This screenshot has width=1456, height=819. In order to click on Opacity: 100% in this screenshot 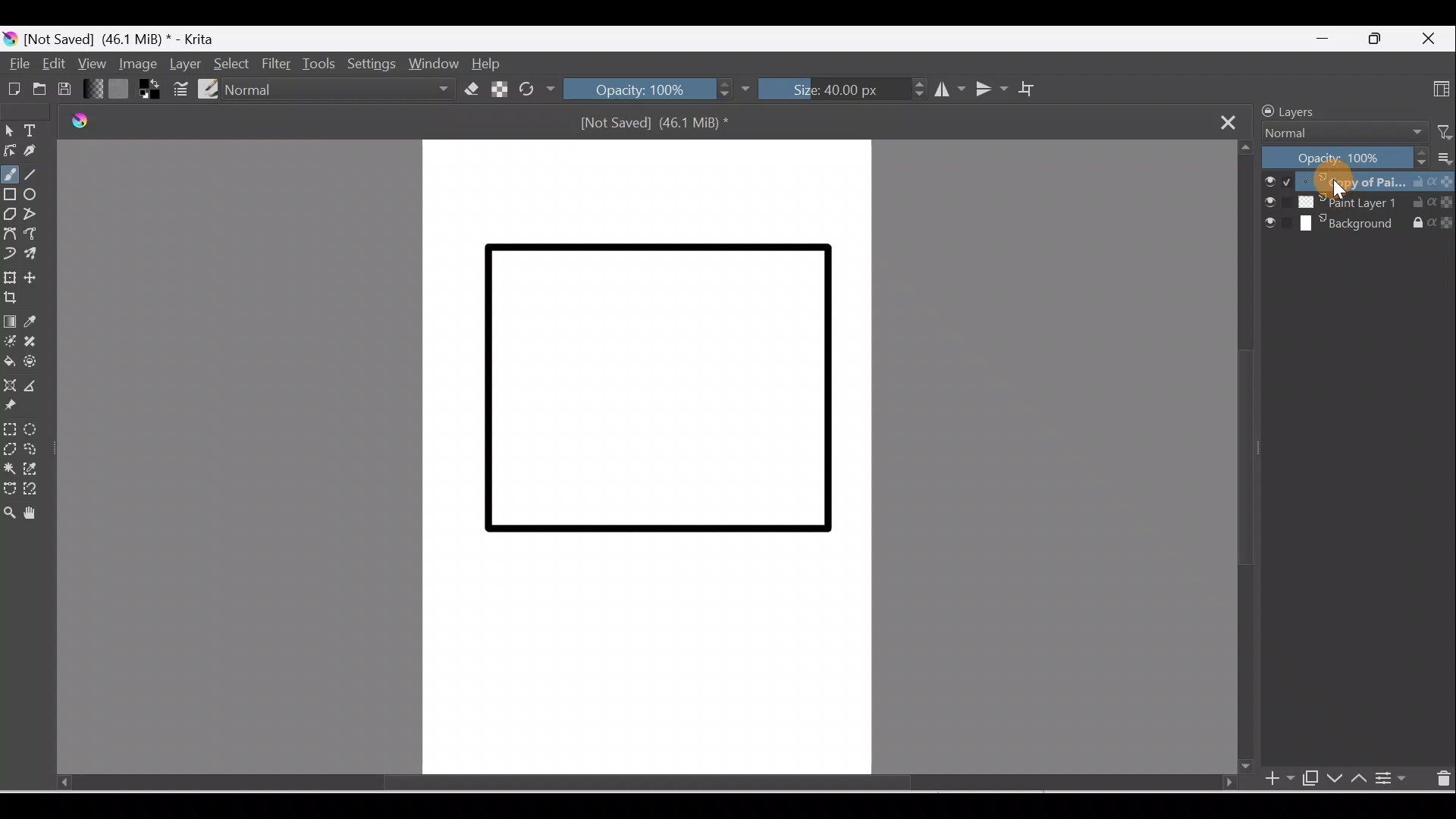, I will do `click(1345, 158)`.